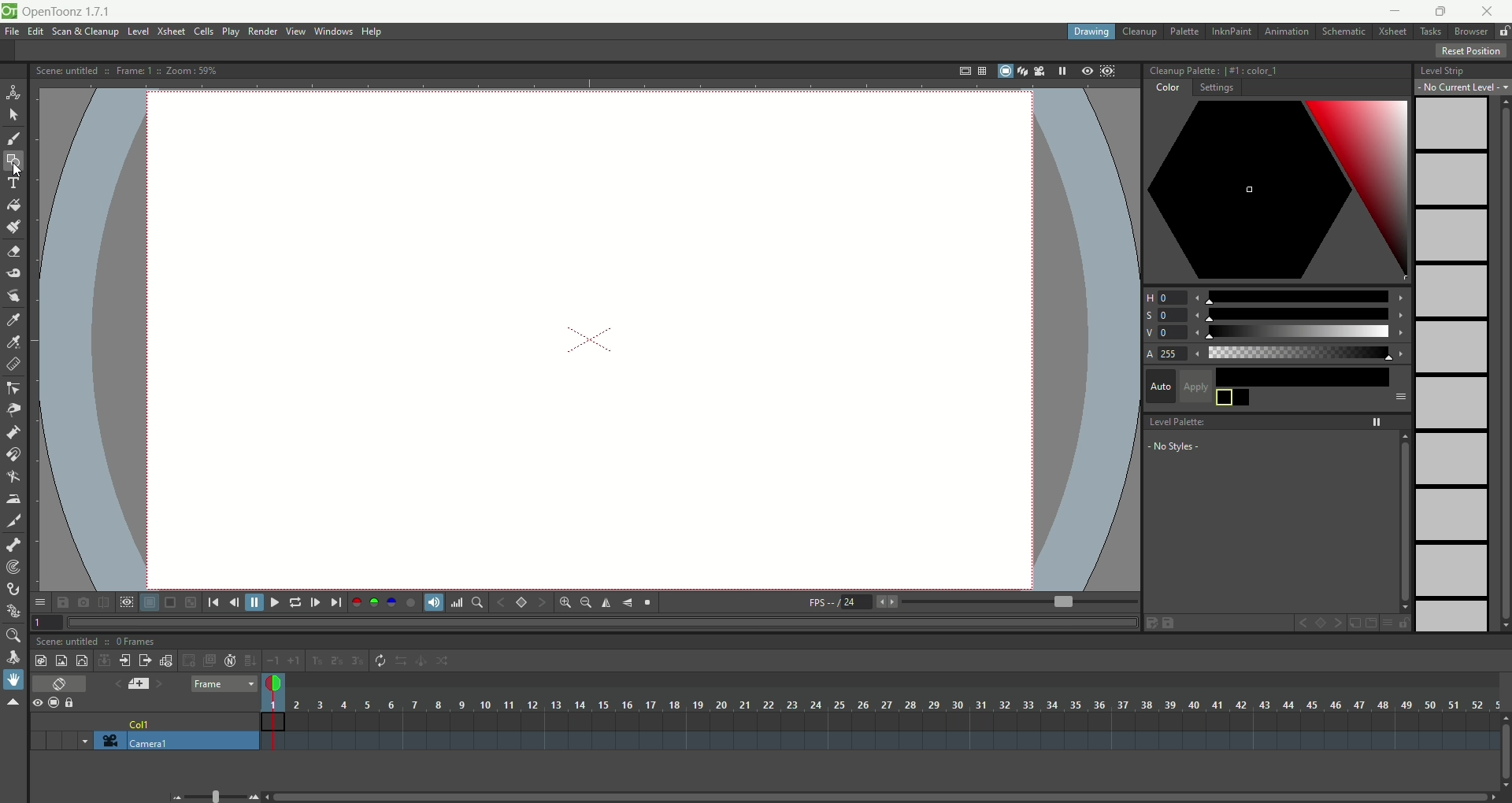 The width and height of the screenshot is (1512, 803). What do you see at coordinates (13, 92) in the screenshot?
I see `animate tool` at bounding box center [13, 92].